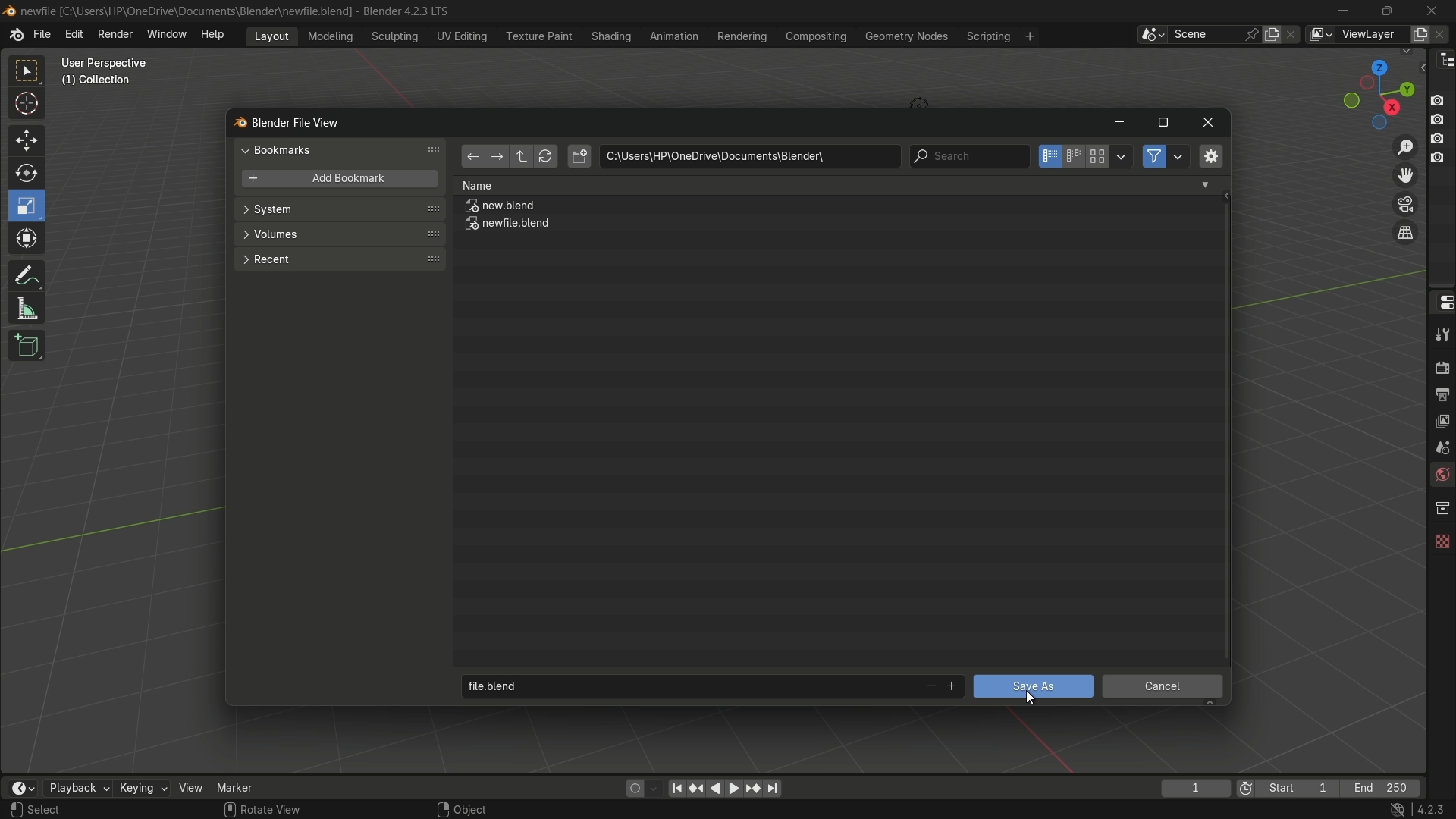  What do you see at coordinates (509, 226) in the screenshot?
I see `newfile.blend file` at bounding box center [509, 226].